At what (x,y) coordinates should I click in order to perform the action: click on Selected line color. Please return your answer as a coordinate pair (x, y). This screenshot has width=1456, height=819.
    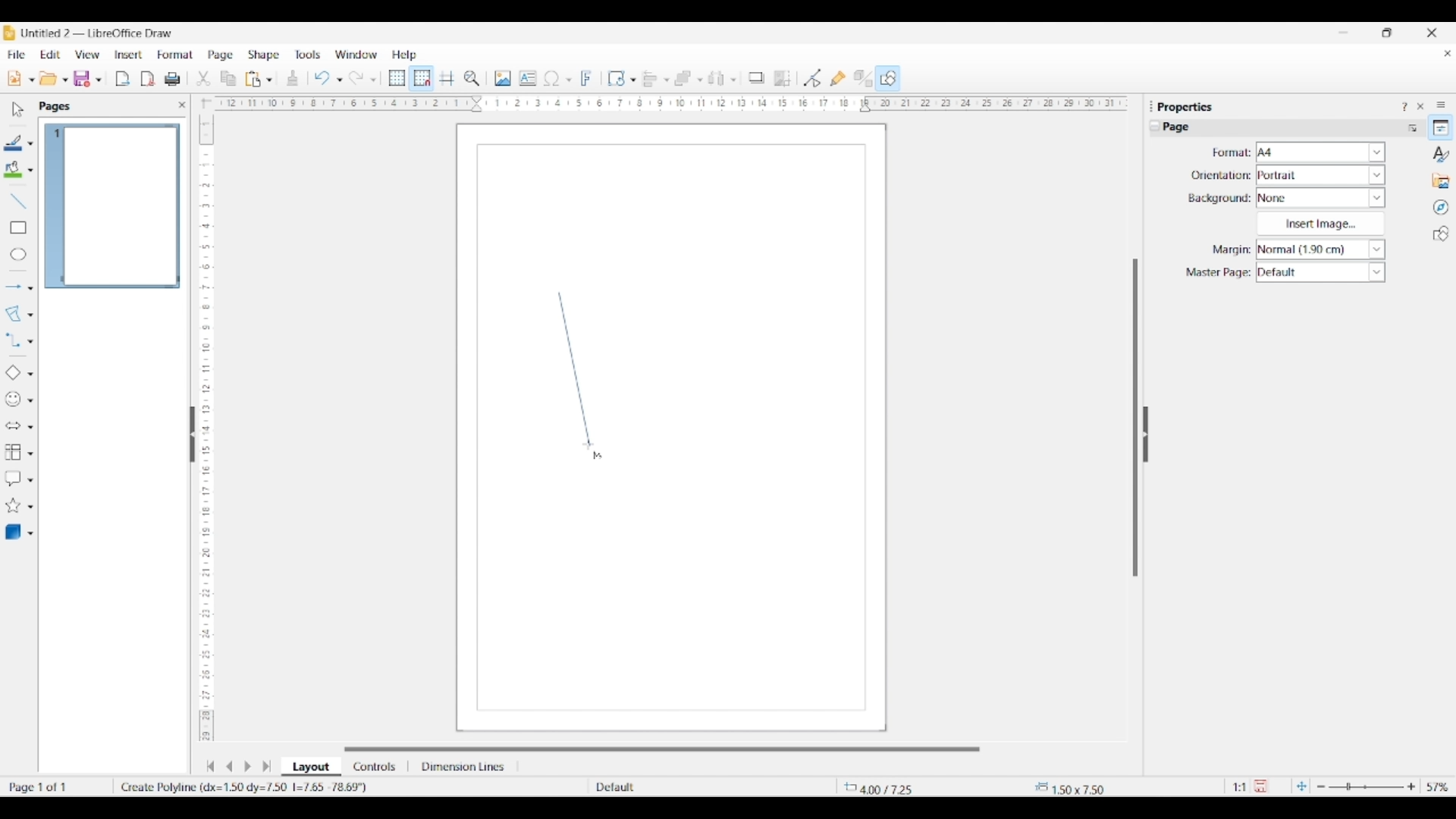
    Looking at the image, I should click on (14, 143).